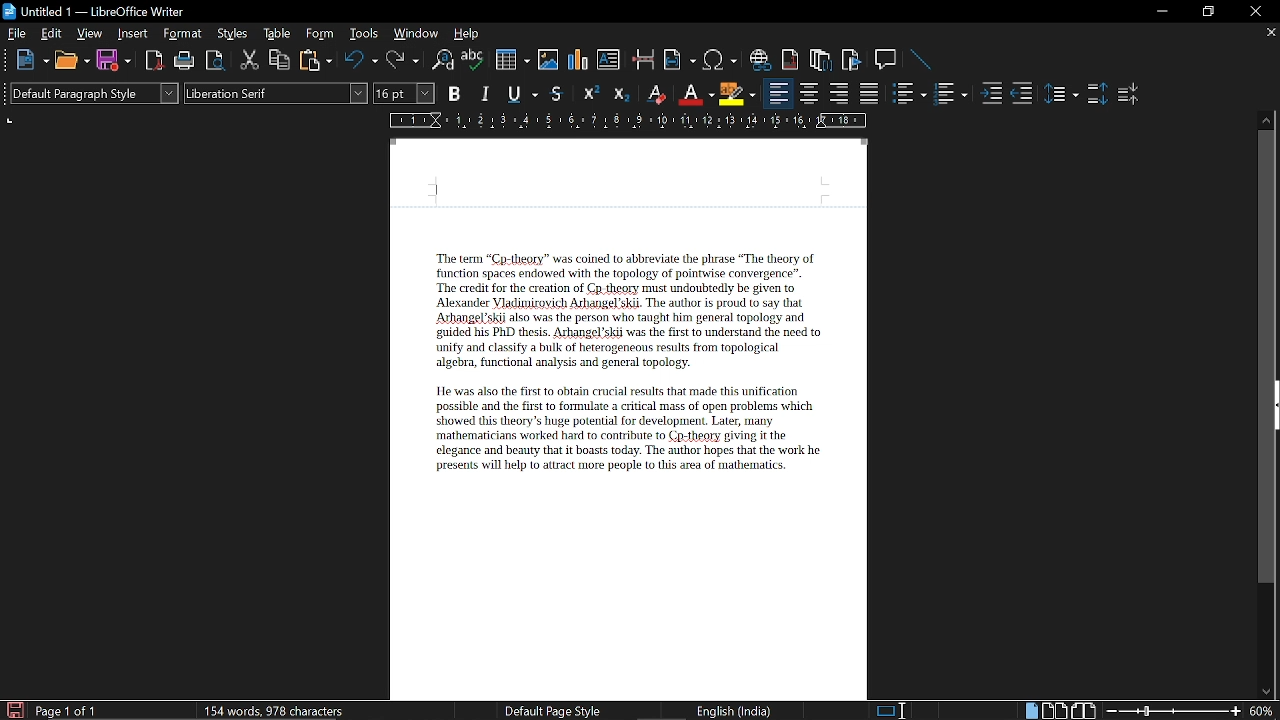 The image size is (1280, 720). I want to click on Subscript, so click(621, 93).